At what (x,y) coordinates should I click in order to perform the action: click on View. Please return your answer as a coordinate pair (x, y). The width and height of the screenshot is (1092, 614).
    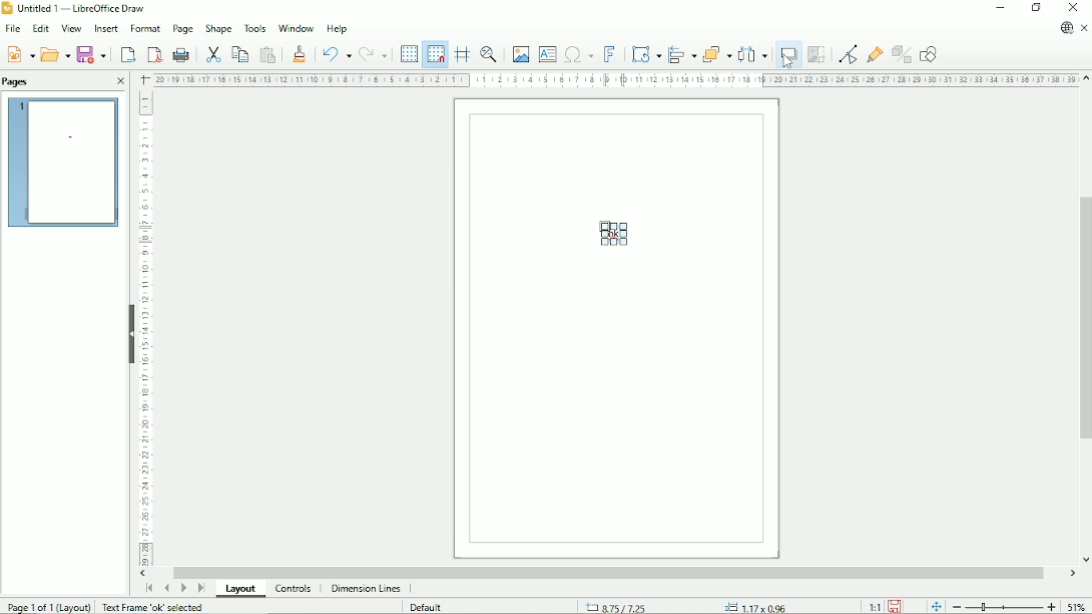
    Looking at the image, I should click on (69, 28).